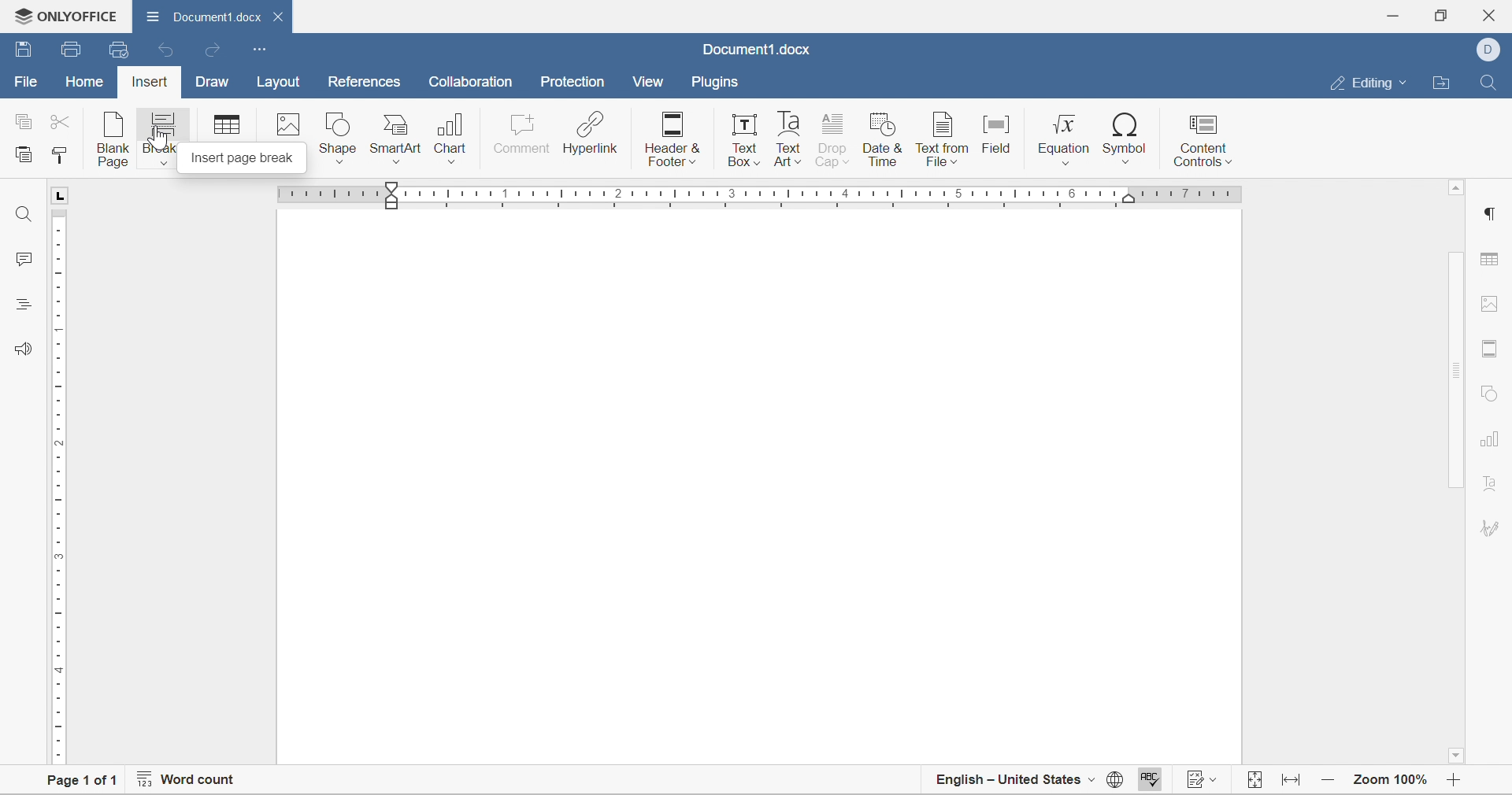  What do you see at coordinates (714, 83) in the screenshot?
I see `Plugins` at bounding box center [714, 83].